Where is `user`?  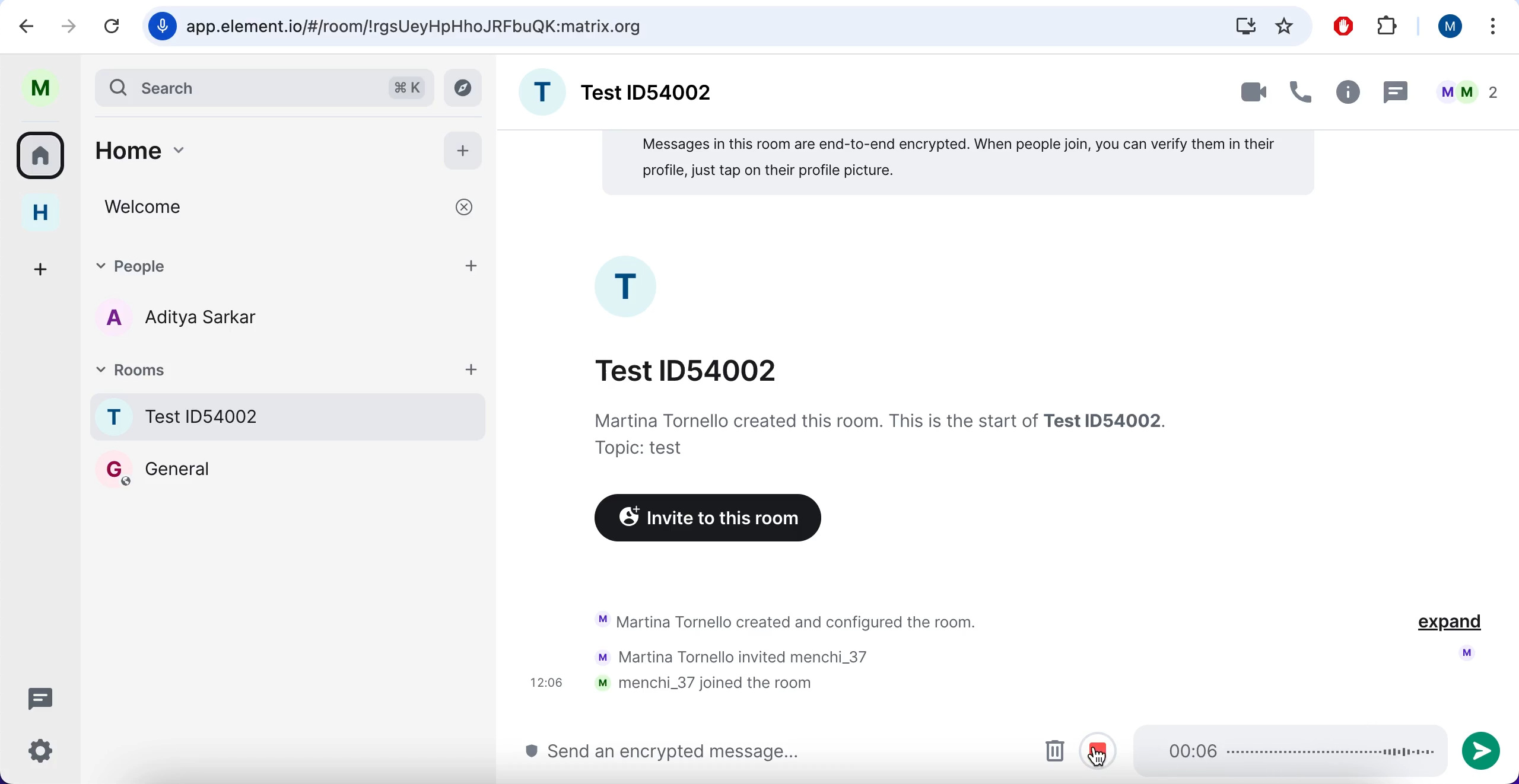 user is located at coordinates (1448, 27).